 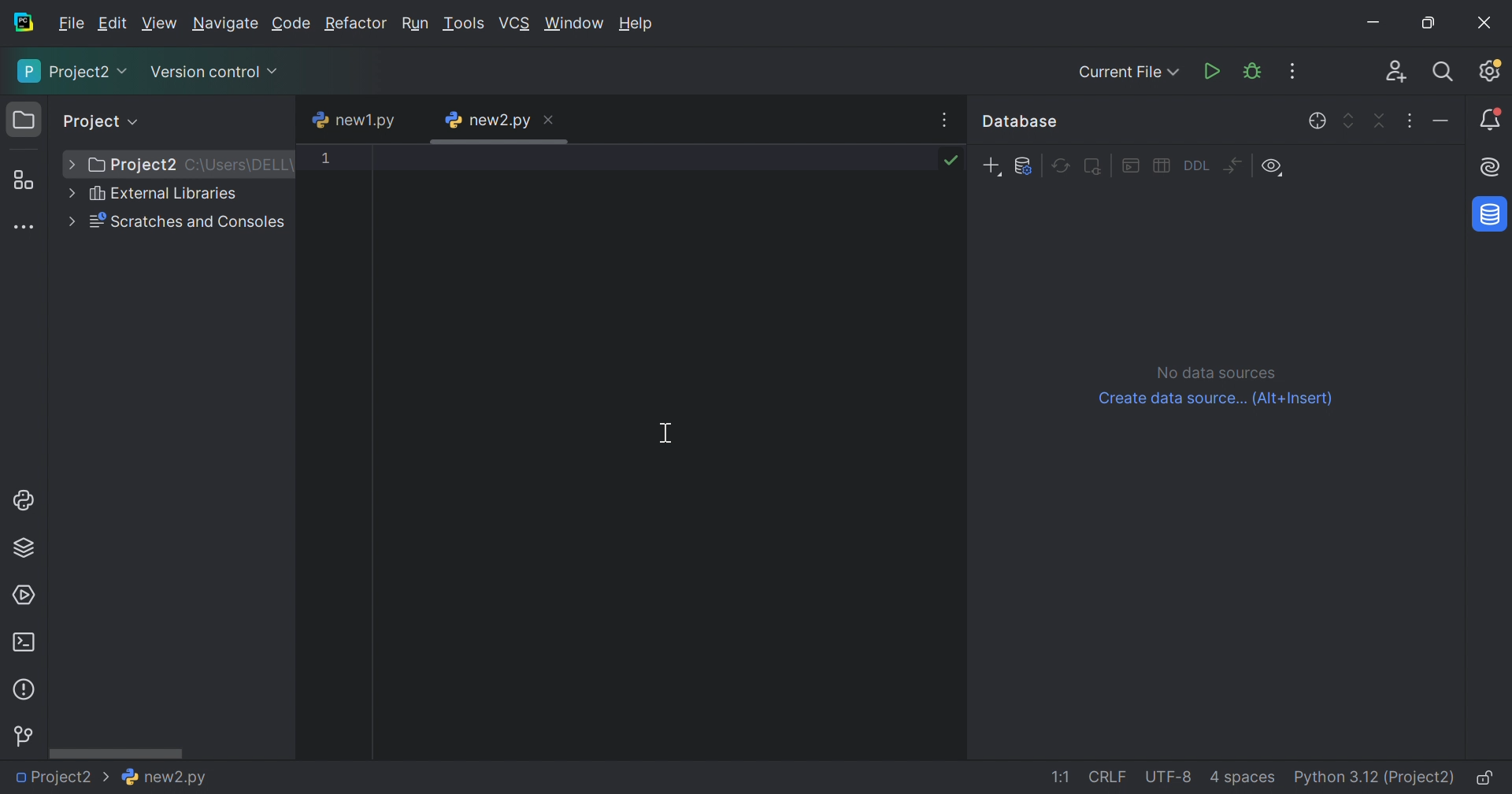 What do you see at coordinates (24, 121) in the screenshot?
I see `Project icon` at bounding box center [24, 121].